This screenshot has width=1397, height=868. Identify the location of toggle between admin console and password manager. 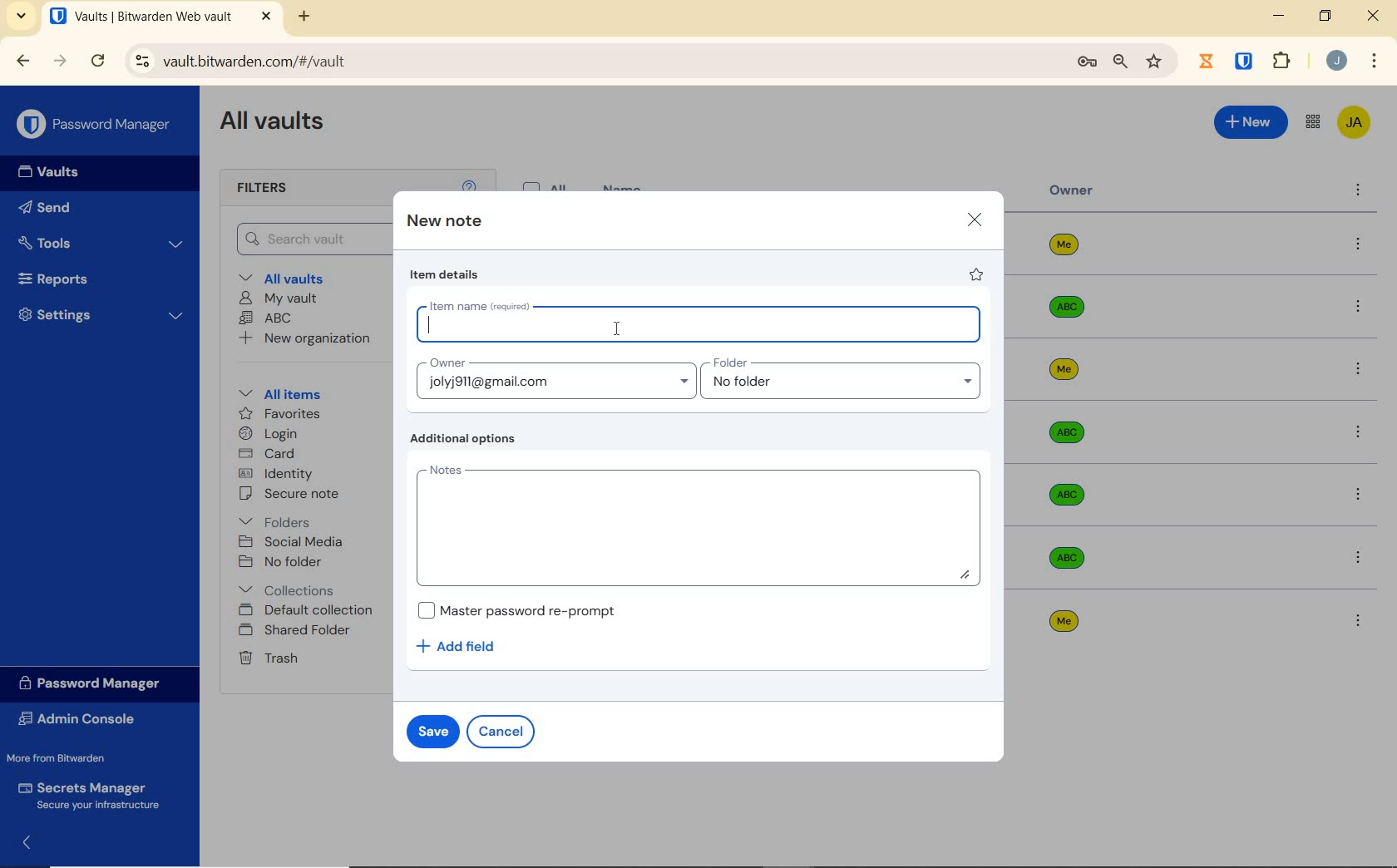
(1311, 122).